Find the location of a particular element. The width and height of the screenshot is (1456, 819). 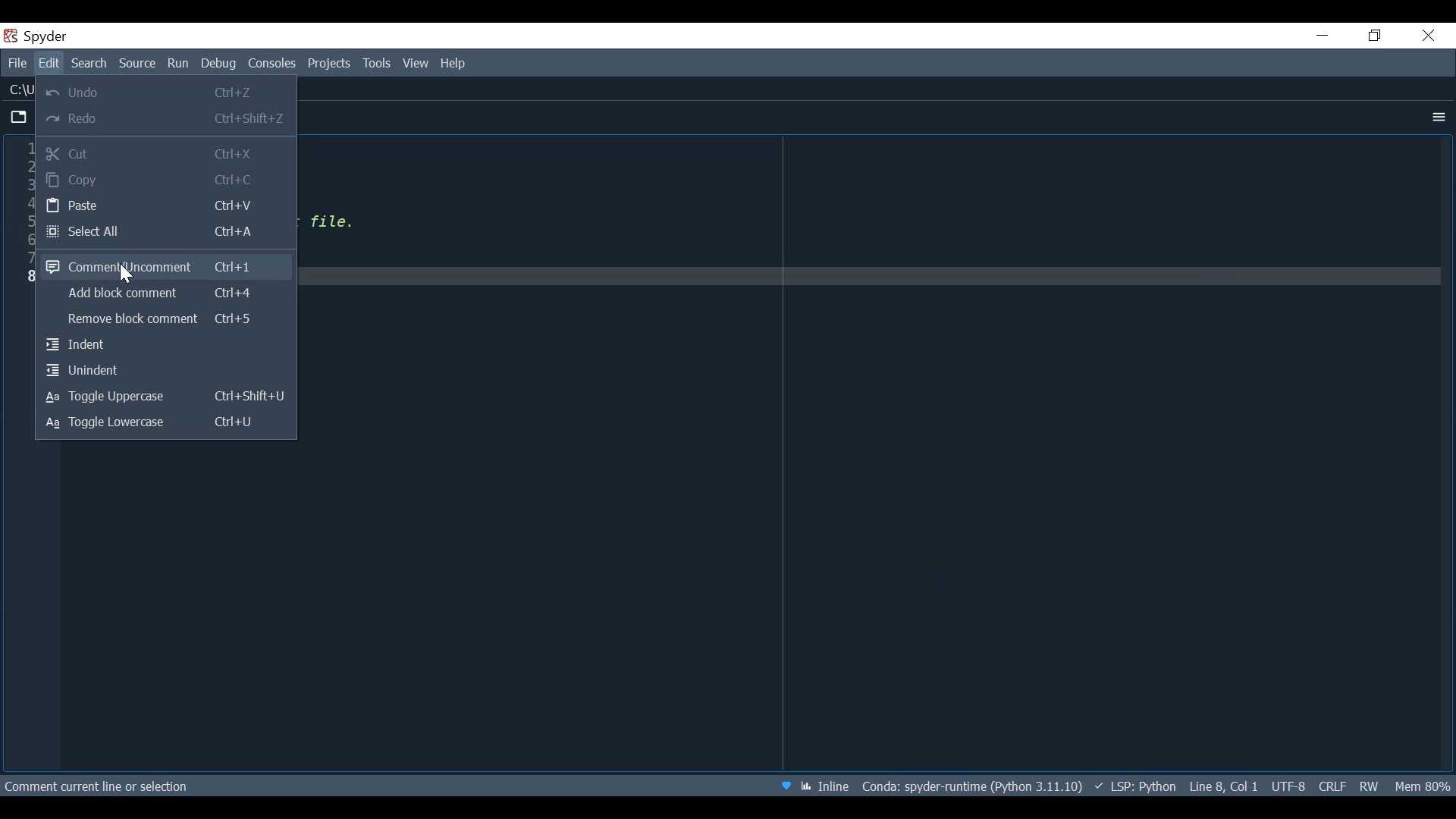

Unindent is located at coordinates (165, 371).